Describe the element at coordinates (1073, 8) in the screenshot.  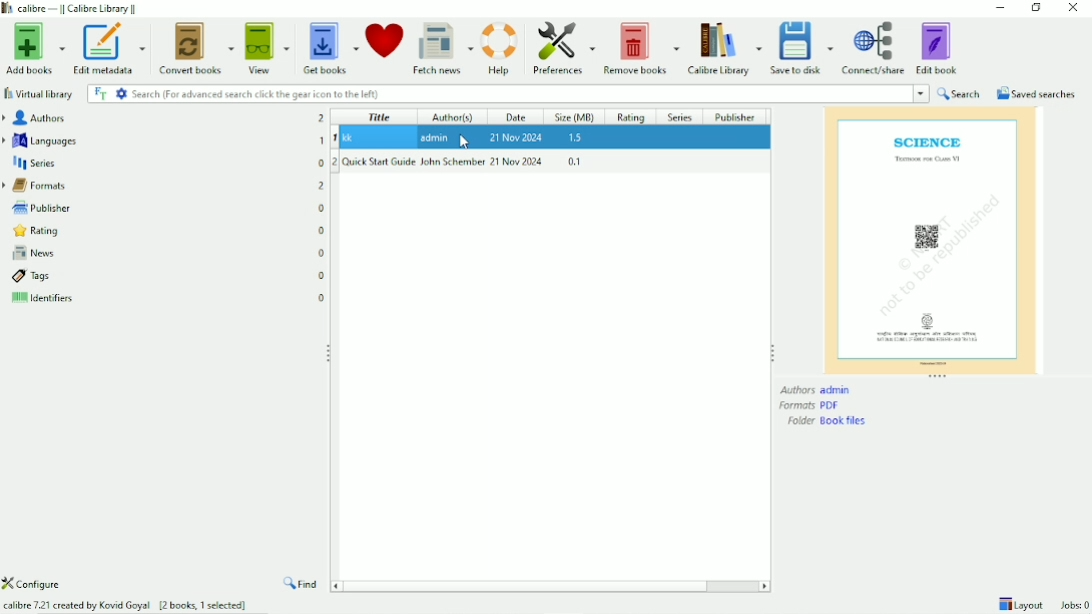
I see `Close` at that location.